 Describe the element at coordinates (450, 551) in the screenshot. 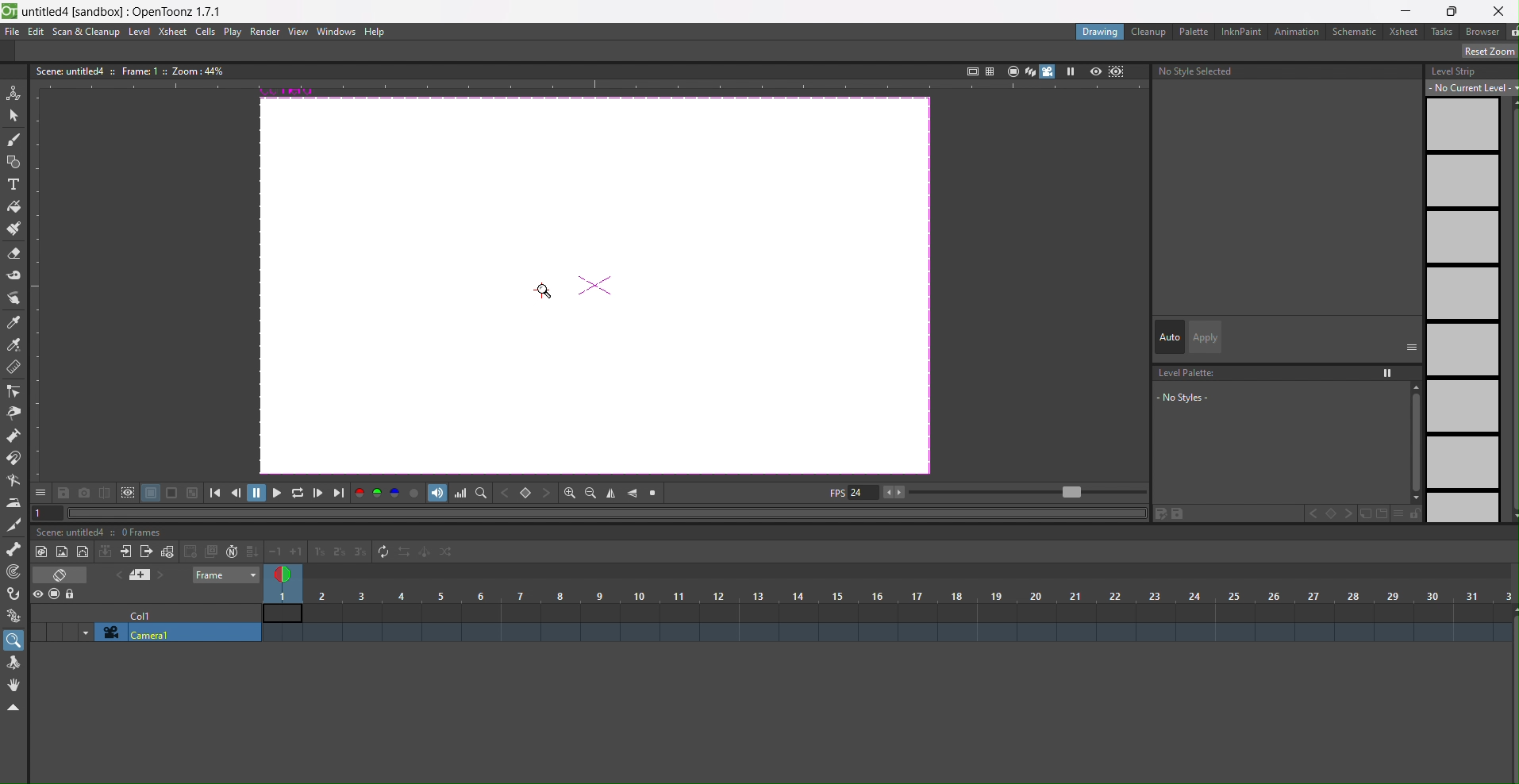

I see `` at that location.